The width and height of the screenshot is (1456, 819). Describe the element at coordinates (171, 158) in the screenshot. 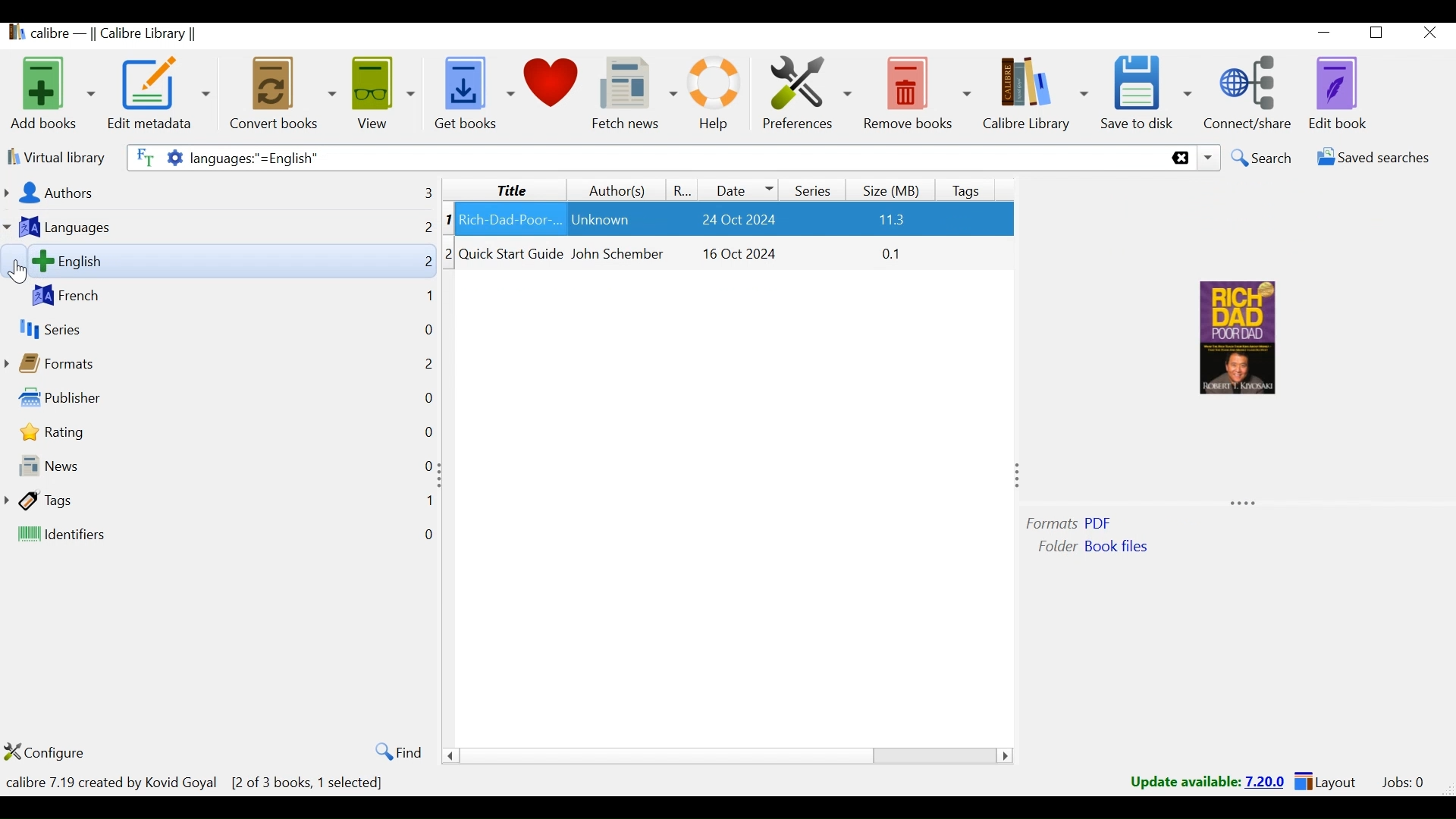

I see `Advanced Search` at that location.